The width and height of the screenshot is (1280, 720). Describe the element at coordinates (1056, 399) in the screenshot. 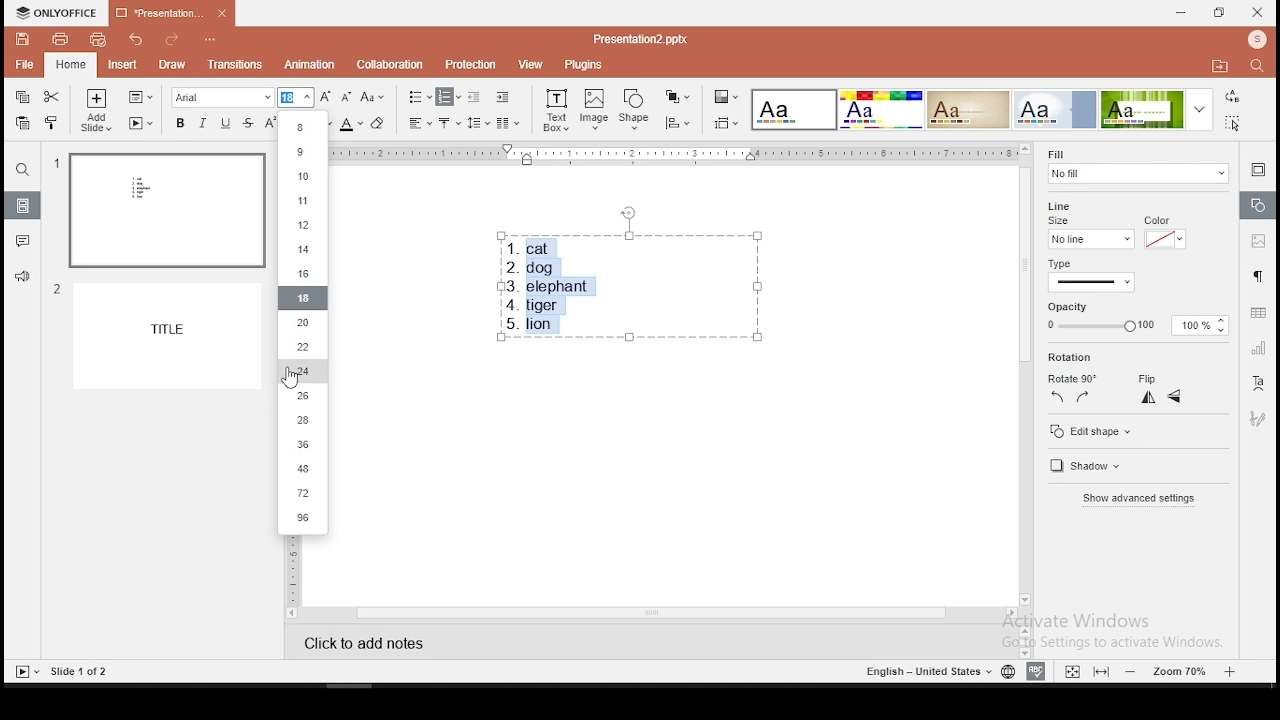

I see `left` at that location.